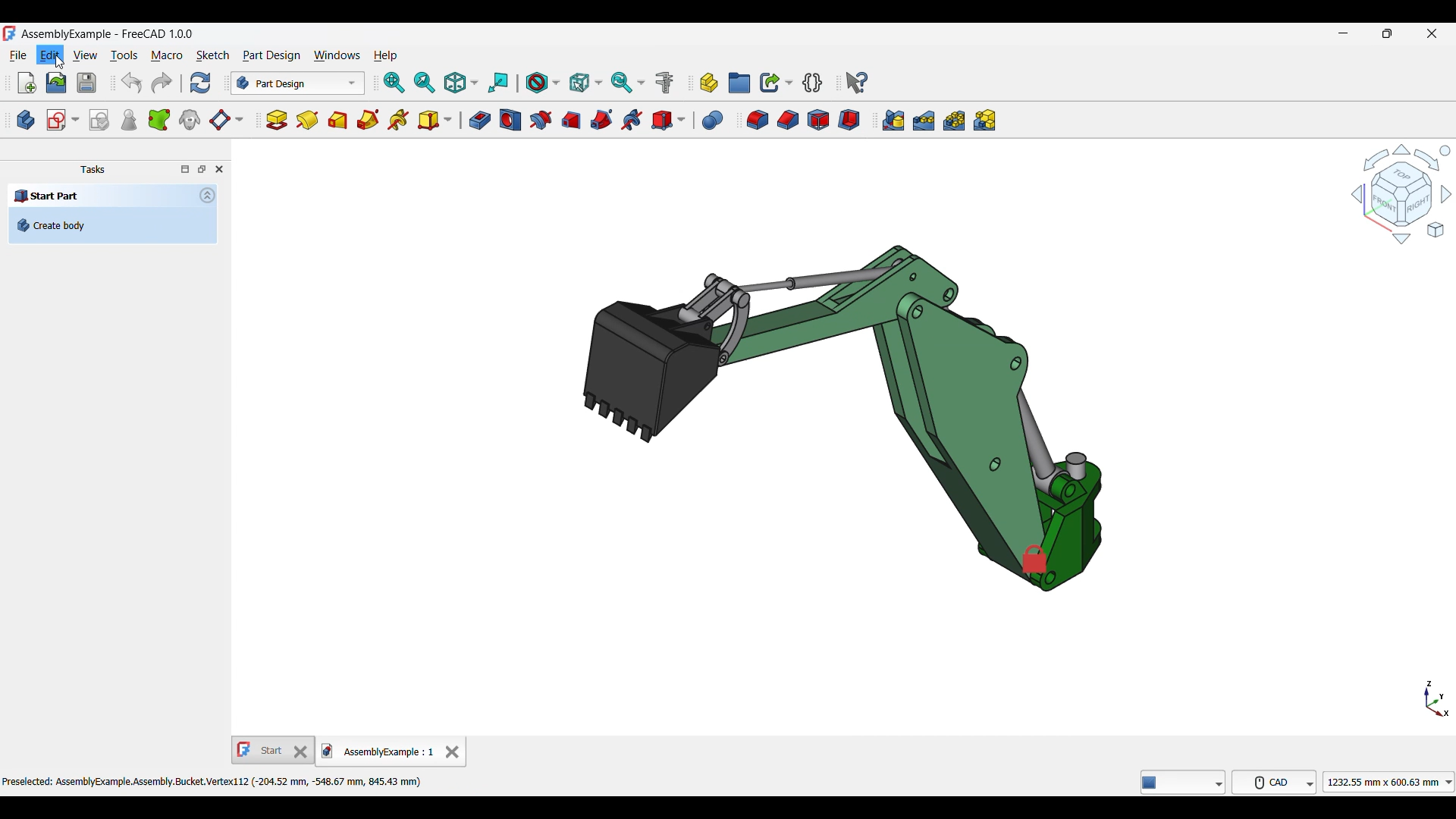 The height and width of the screenshot is (819, 1456). What do you see at coordinates (395, 83) in the screenshot?
I see `Fit all` at bounding box center [395, 83].